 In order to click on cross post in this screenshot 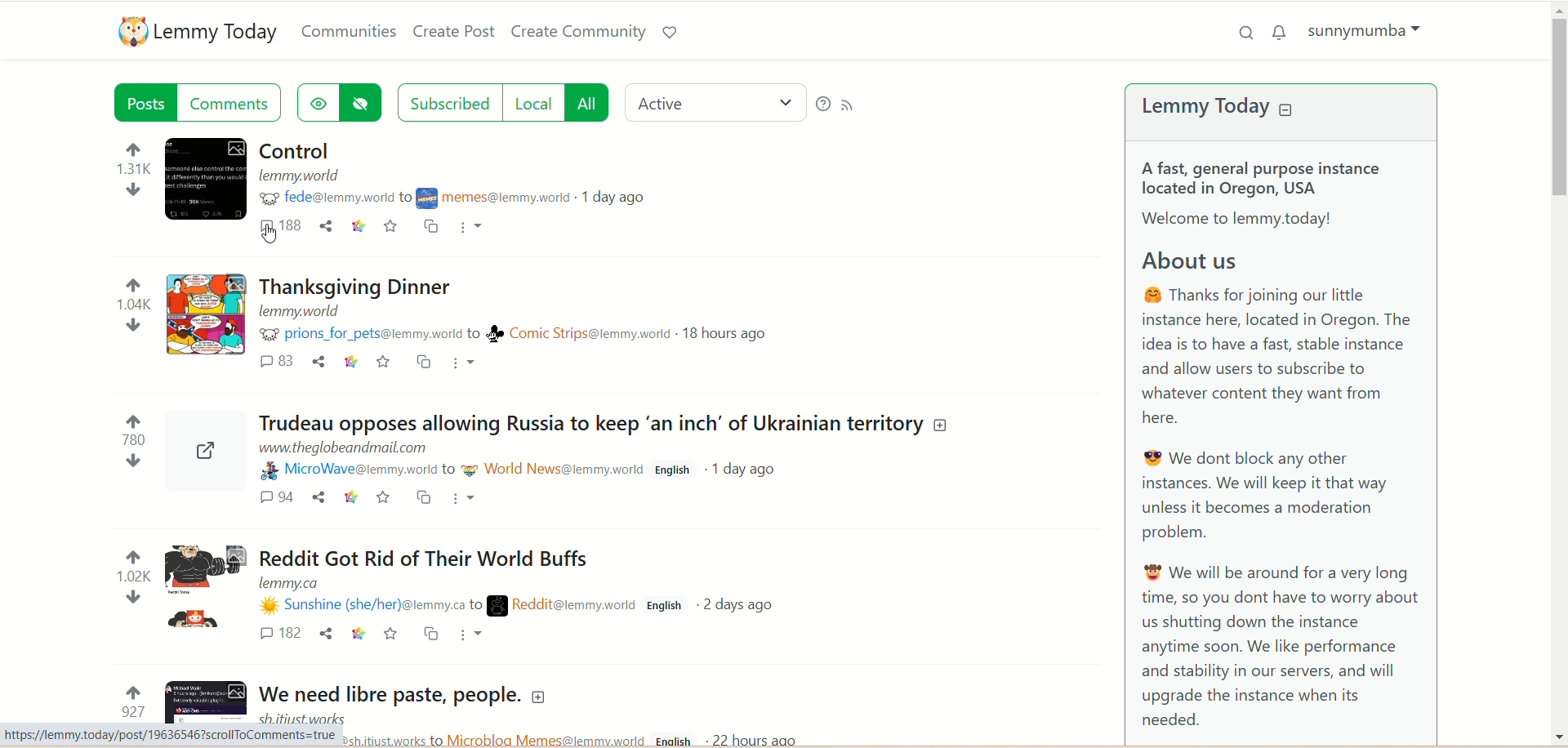, I will do `click(425, 359)`.